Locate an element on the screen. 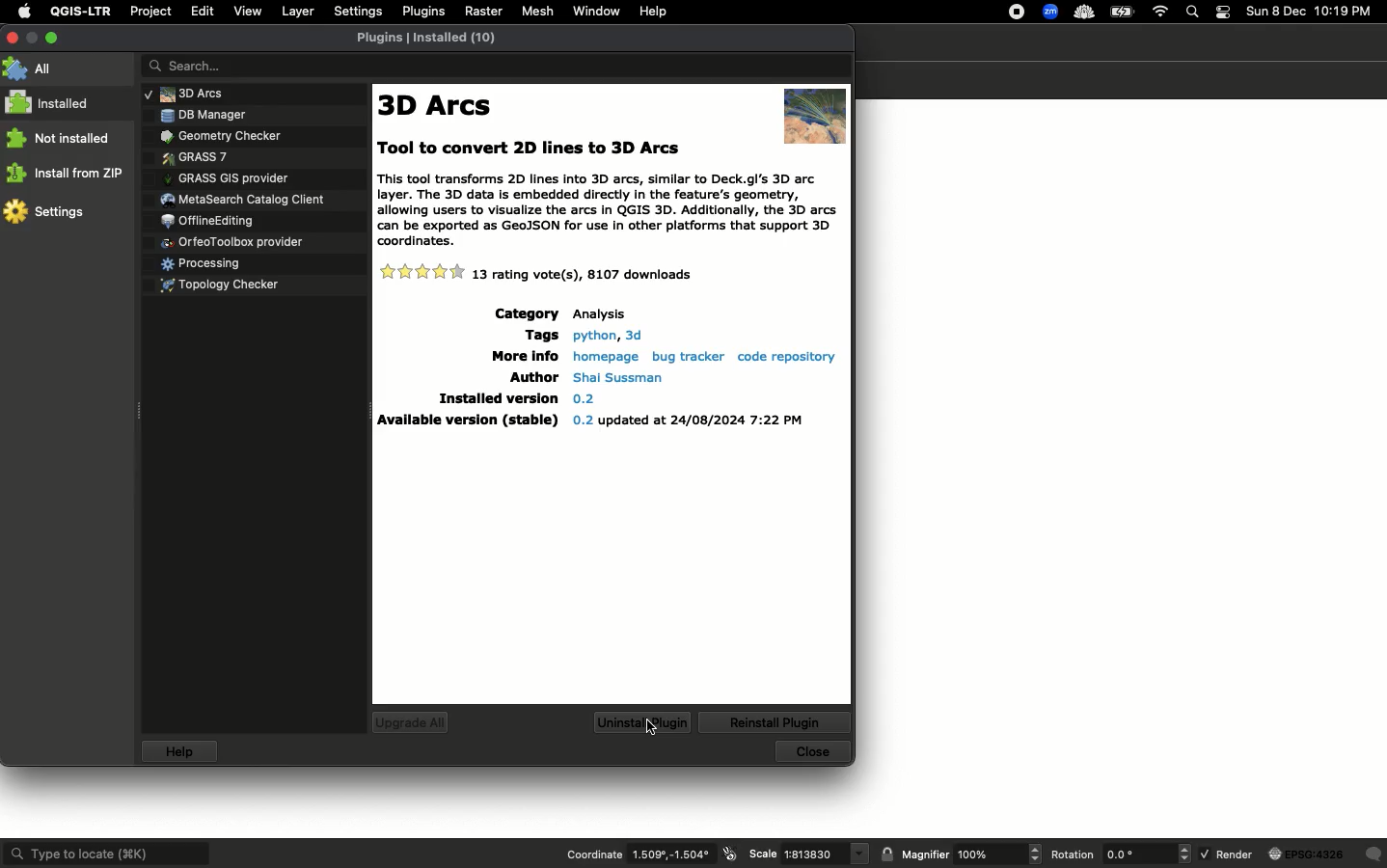  Plugins is located at coordinates (196, 155).